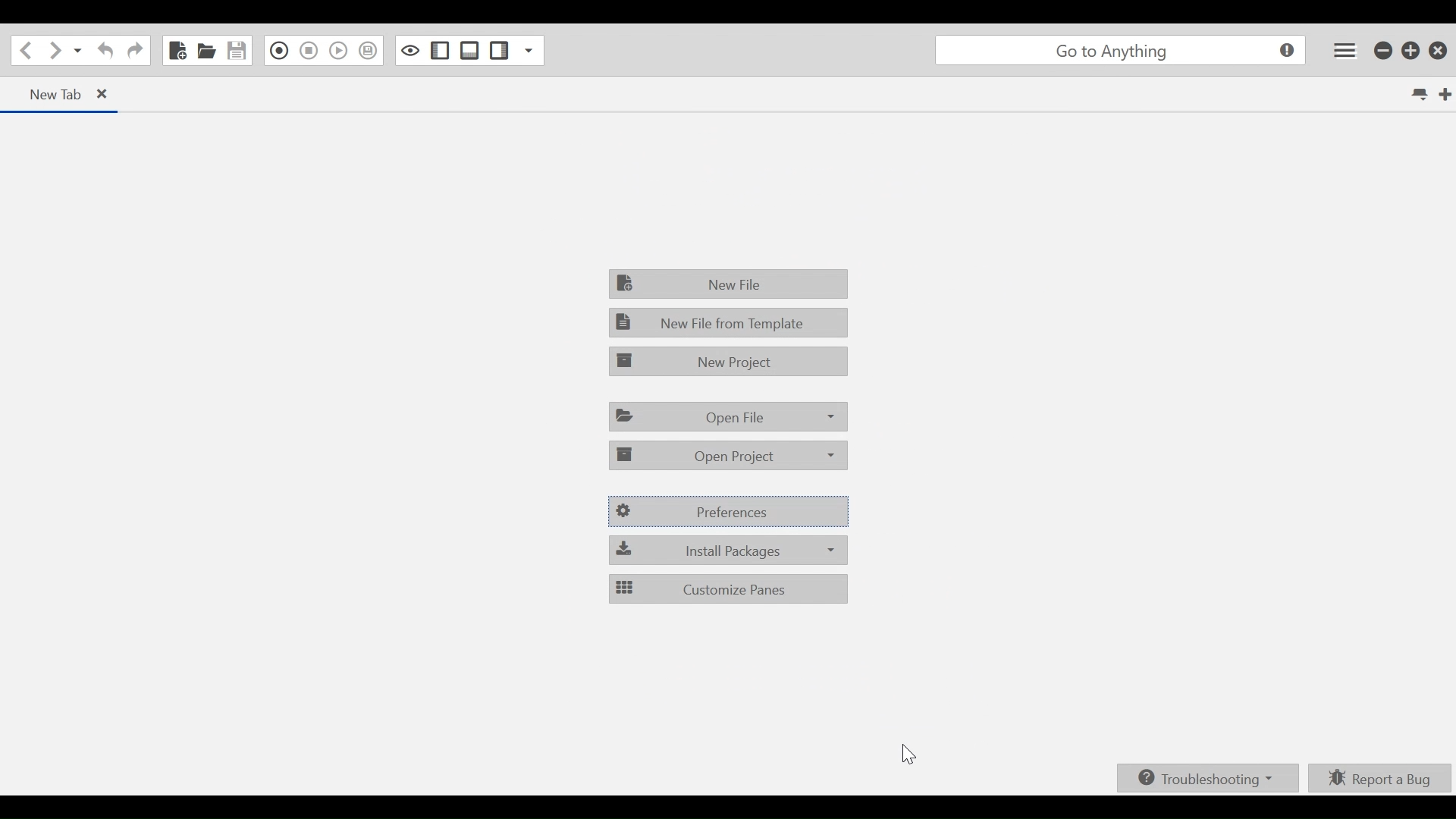  I want to click on Application menu, so click(1341, 50).